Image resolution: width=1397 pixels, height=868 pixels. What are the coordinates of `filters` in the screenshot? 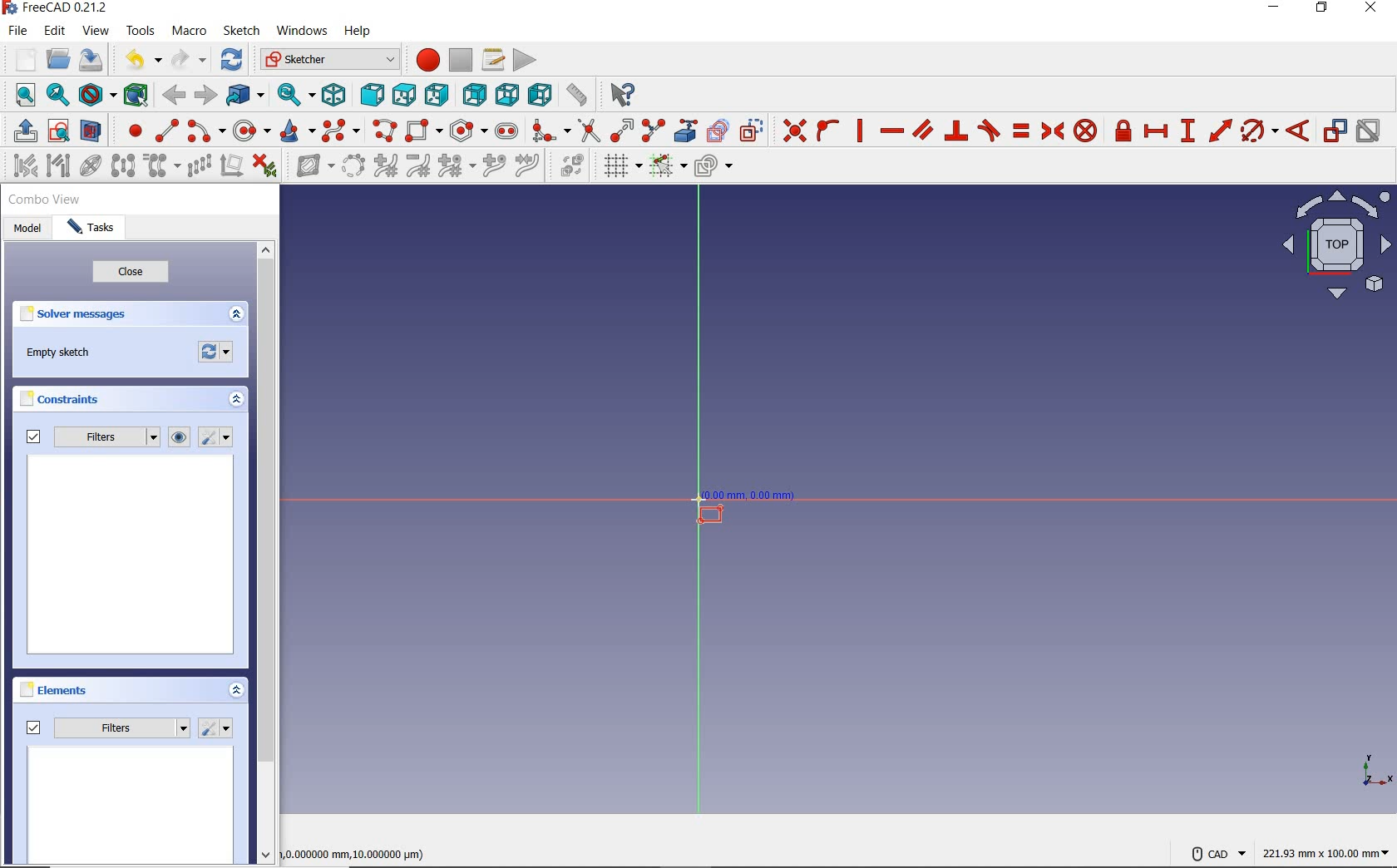 It's located at (89, 437).